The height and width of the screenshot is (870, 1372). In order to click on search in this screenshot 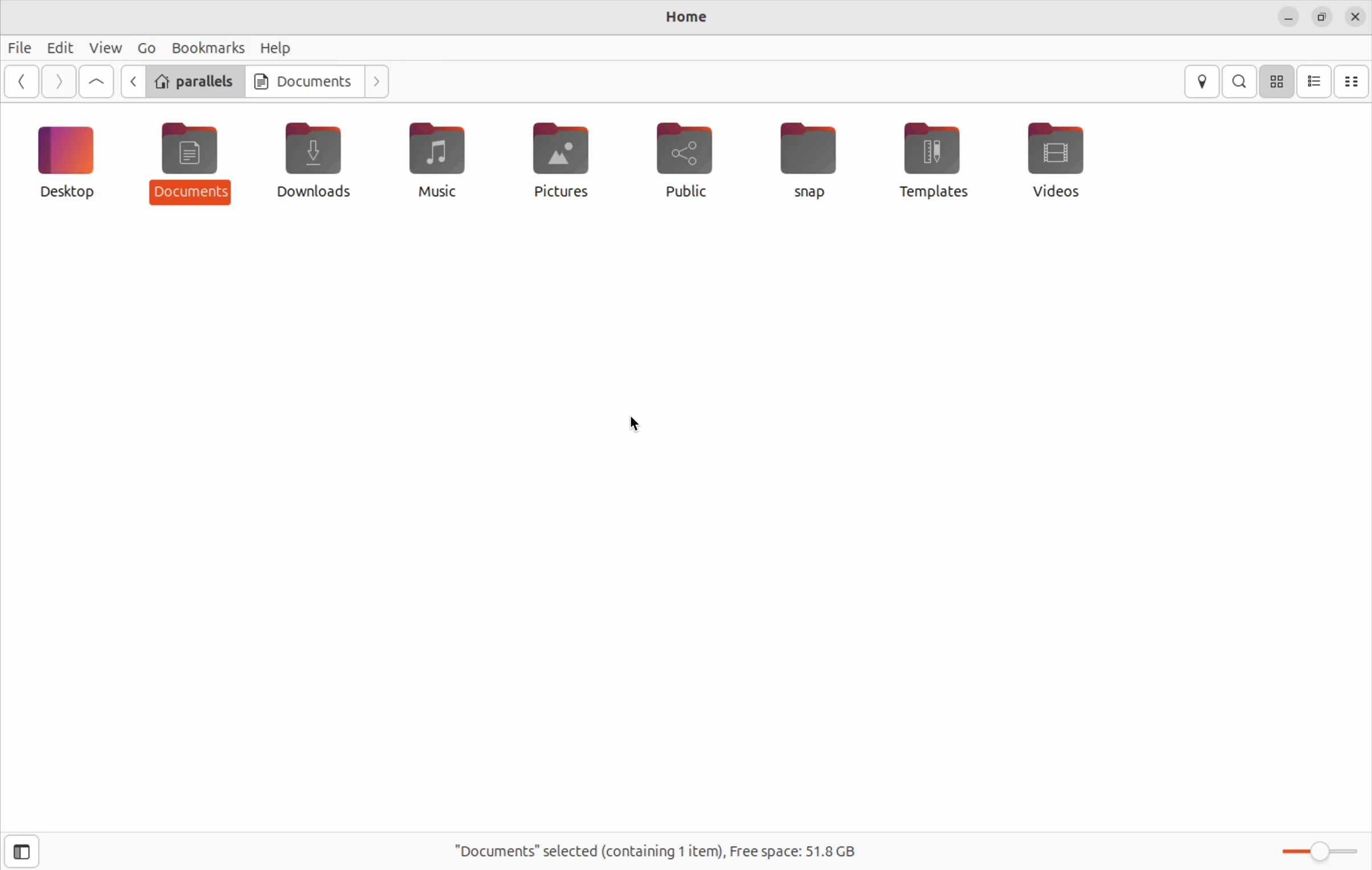, I will do `click(1241, 81)`.